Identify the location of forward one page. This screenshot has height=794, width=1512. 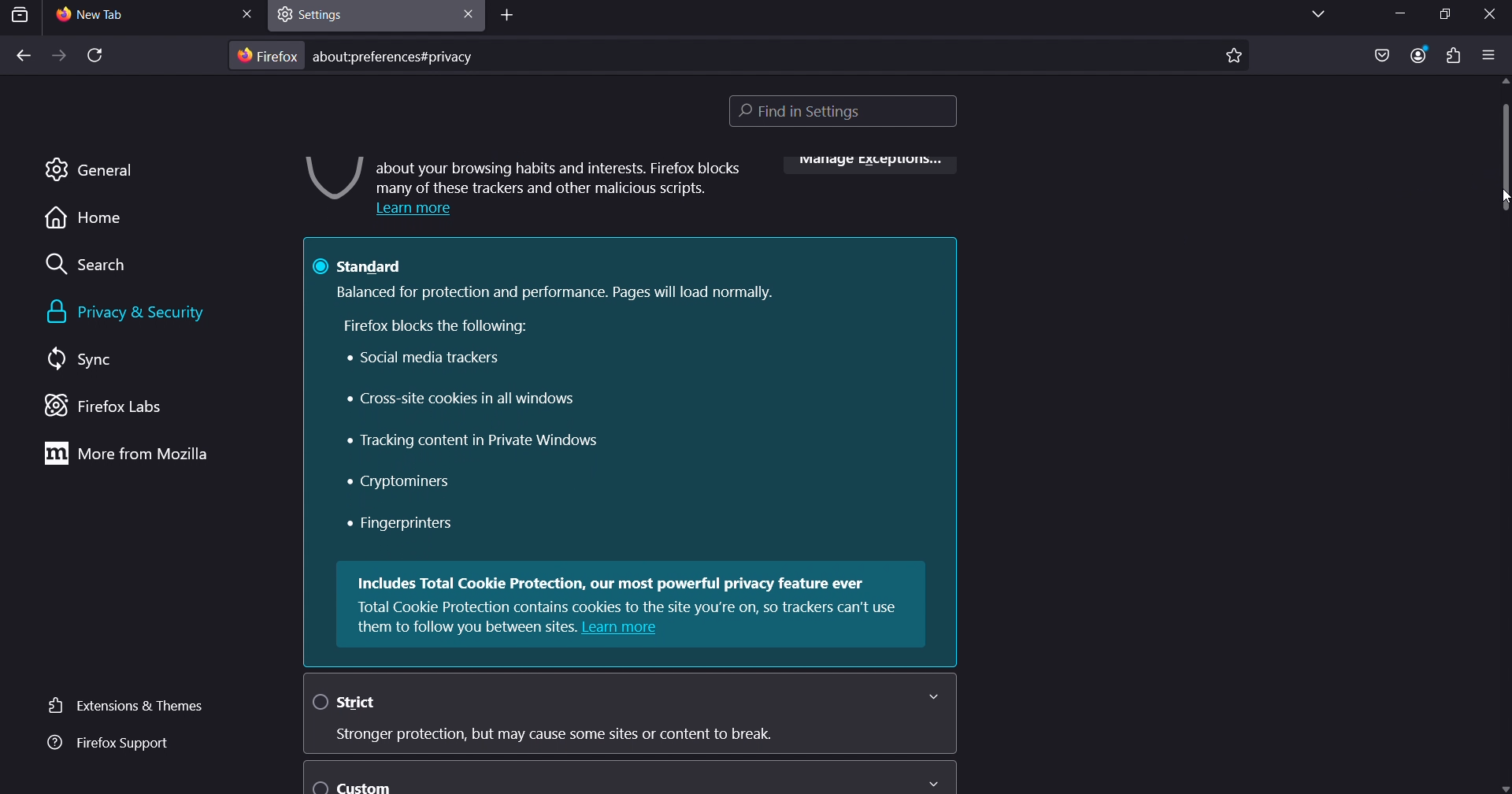
(57, 57).